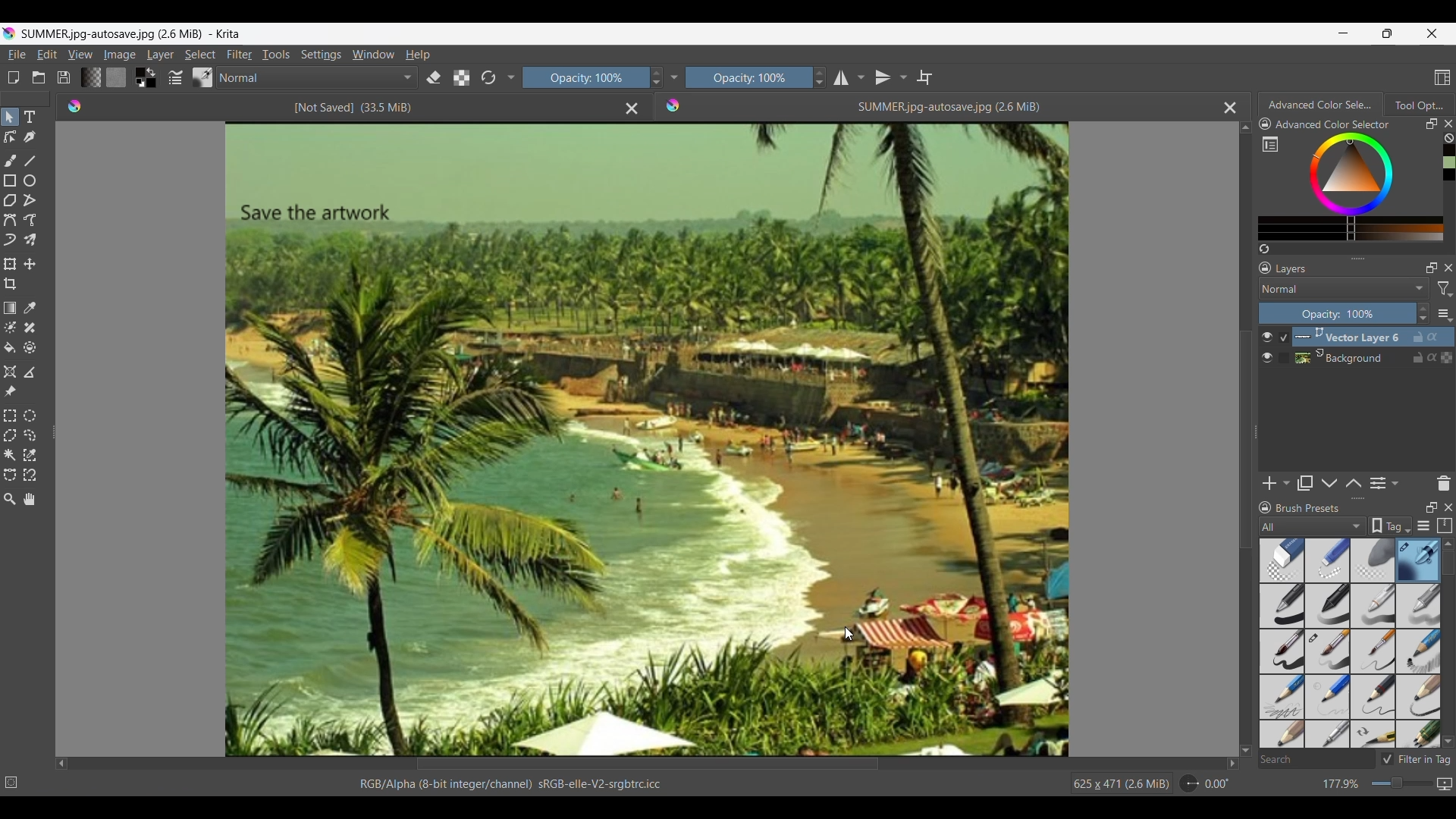 Image resolution: width=1456 pixels, height=819 pixels. I want to click on Move a layer, so click(29, 264).